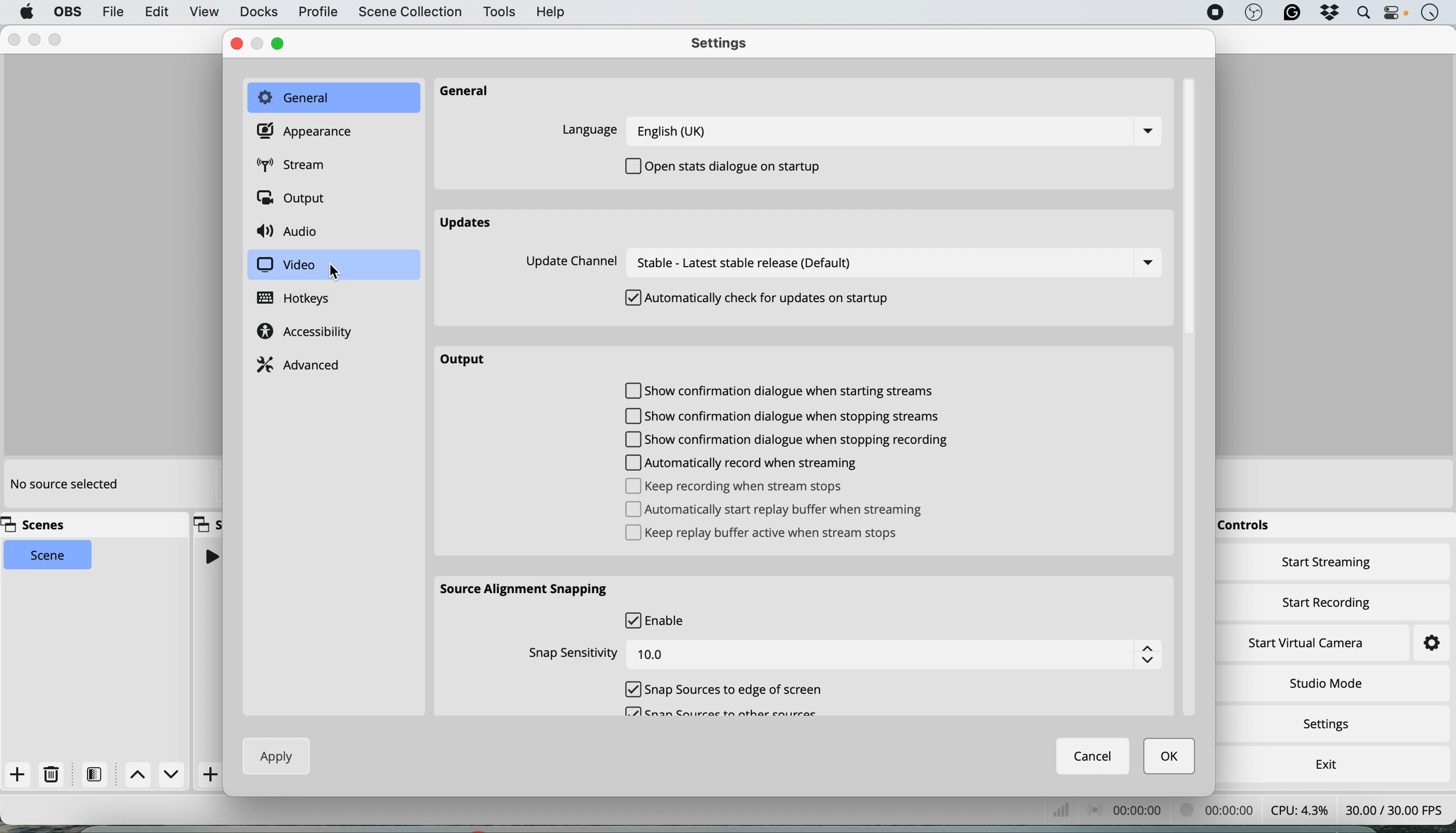  I want to click on obs, so click(66, 12).